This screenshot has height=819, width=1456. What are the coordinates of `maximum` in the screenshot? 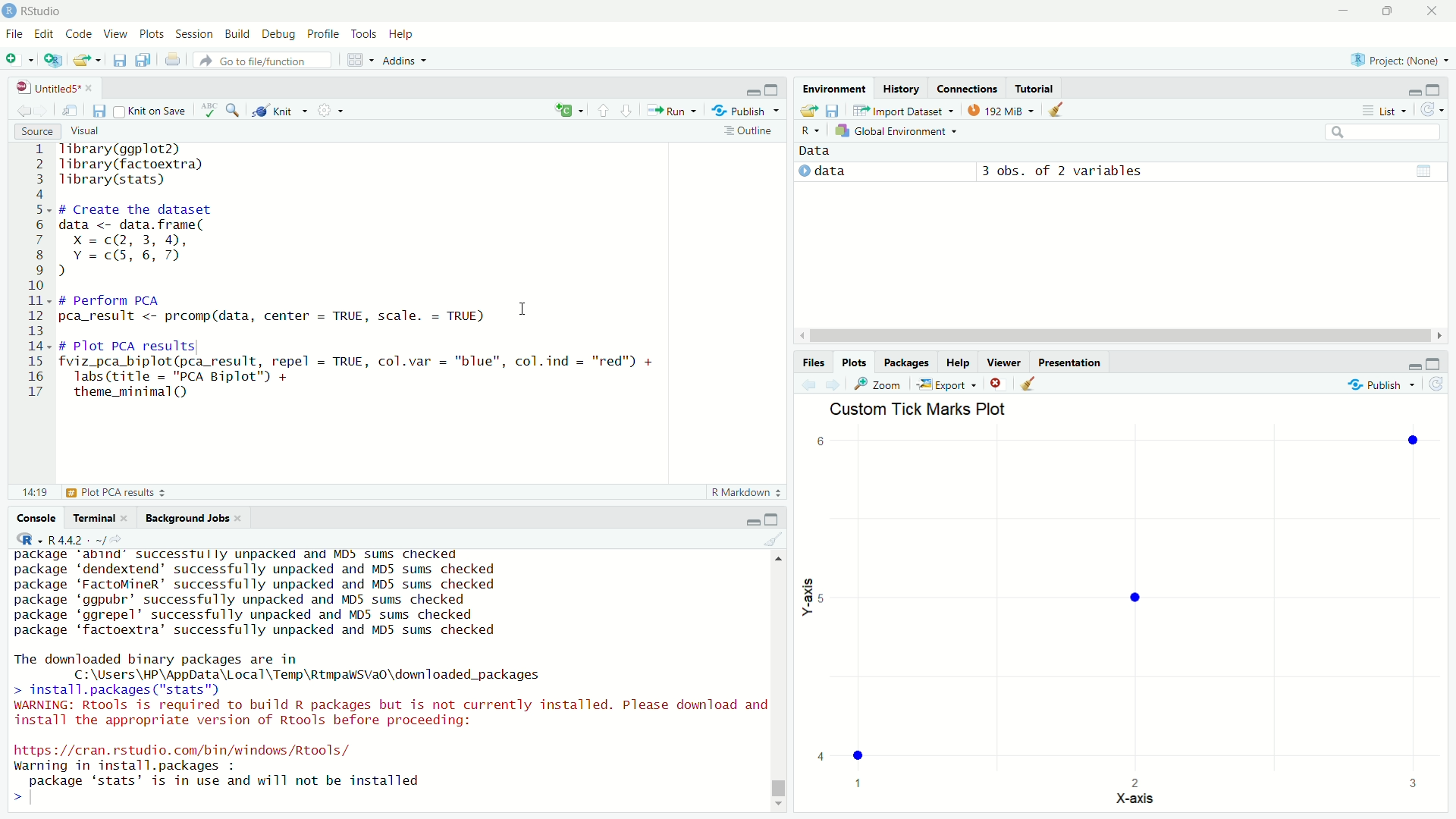 It's located at (1435, 362).